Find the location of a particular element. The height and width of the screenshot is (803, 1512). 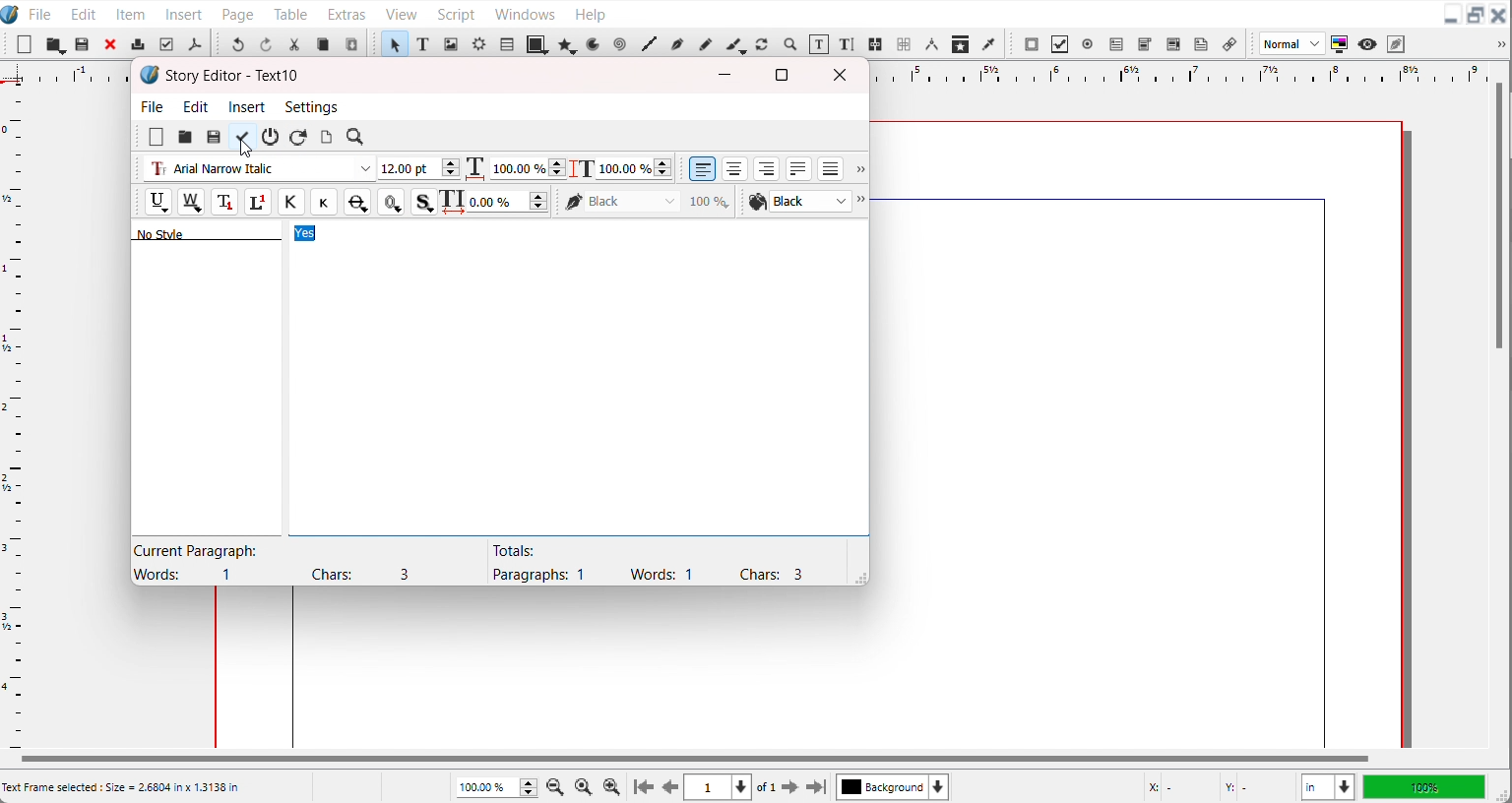

New is located at coordinates (25, 44).